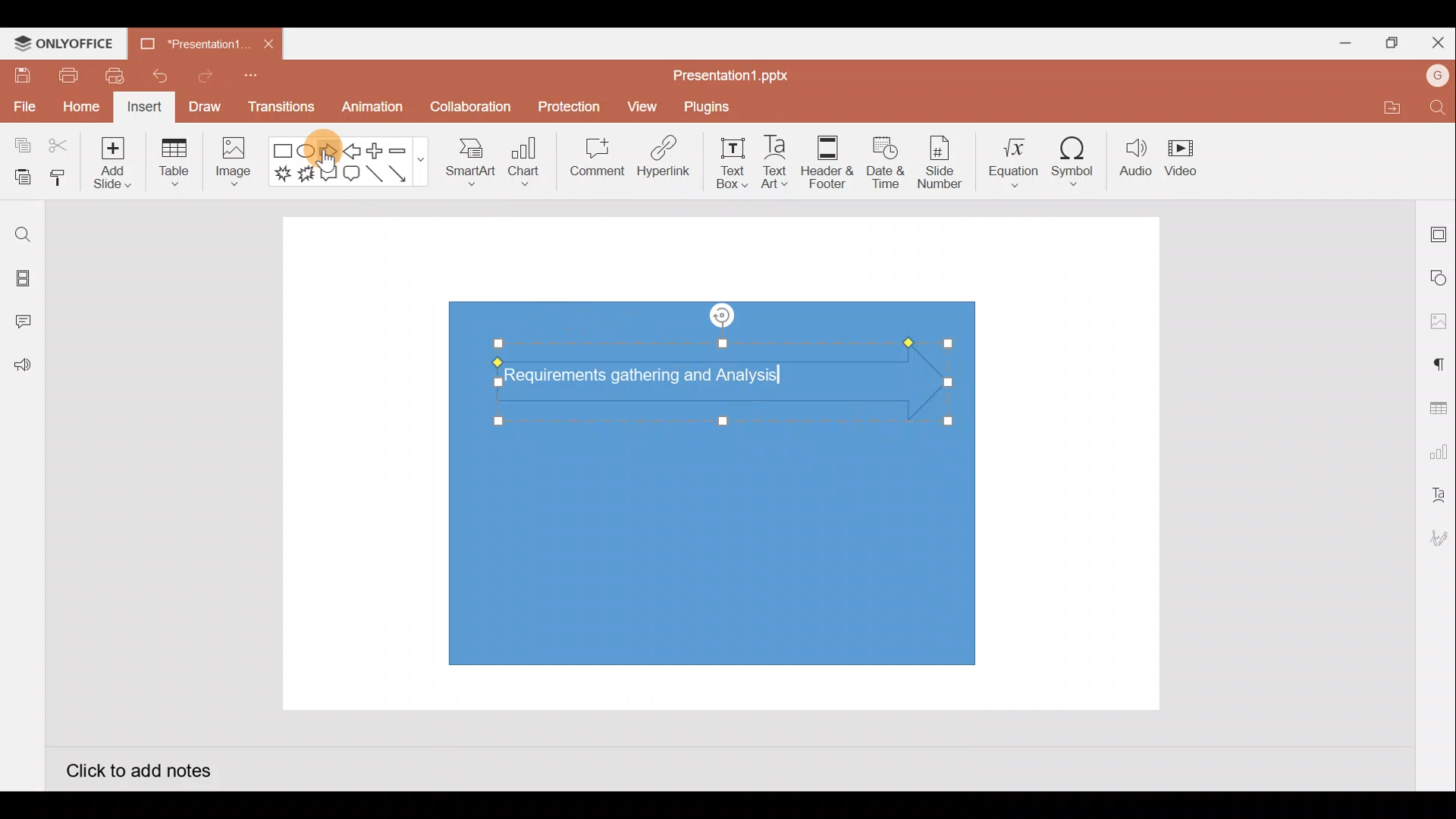 This screenshot has width=1456, height=819. I want to click on Table settings, so click(1435, 406).